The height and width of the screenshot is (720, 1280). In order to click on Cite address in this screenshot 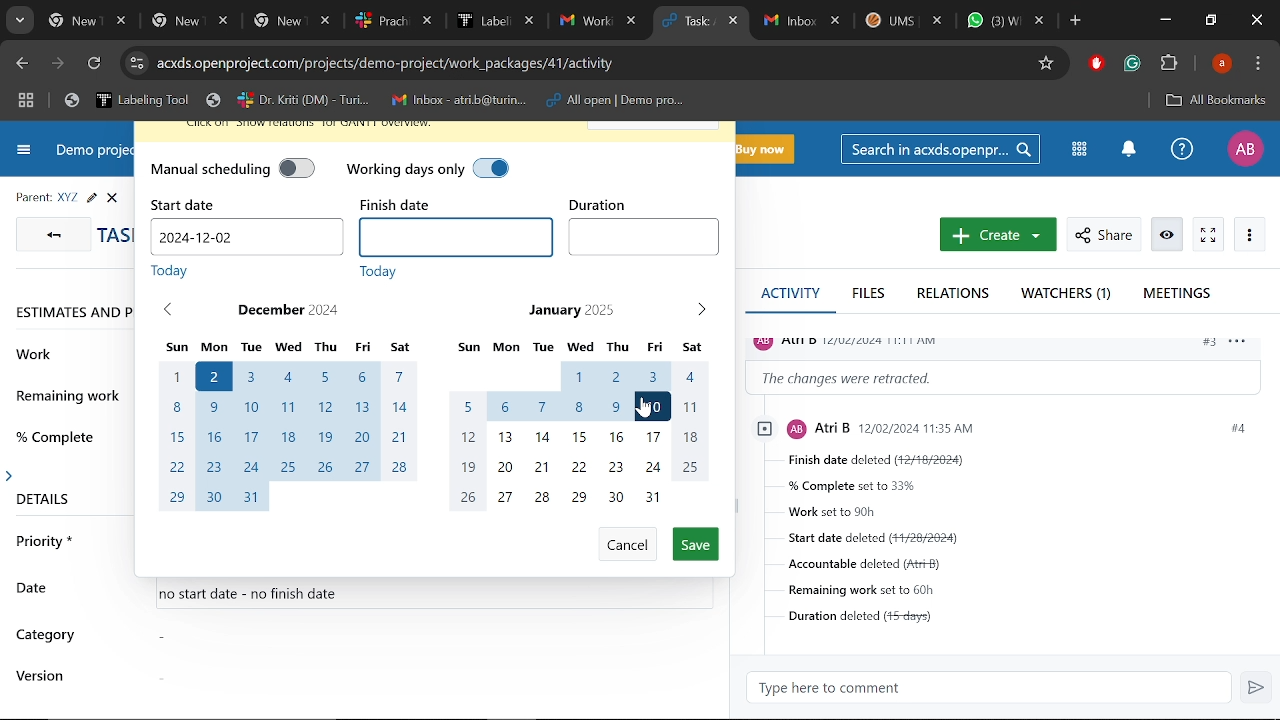, I will do `click(398, 64)`.